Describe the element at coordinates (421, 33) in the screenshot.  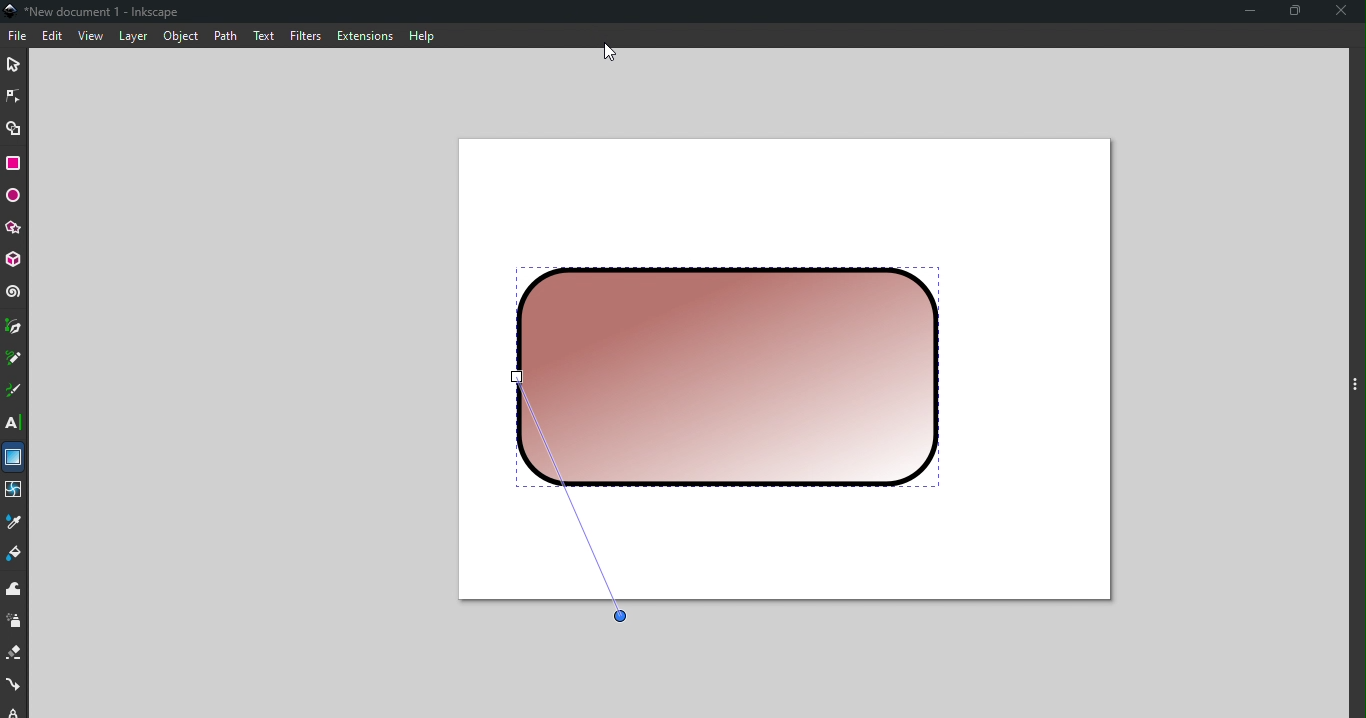
I see `Help` at that location.